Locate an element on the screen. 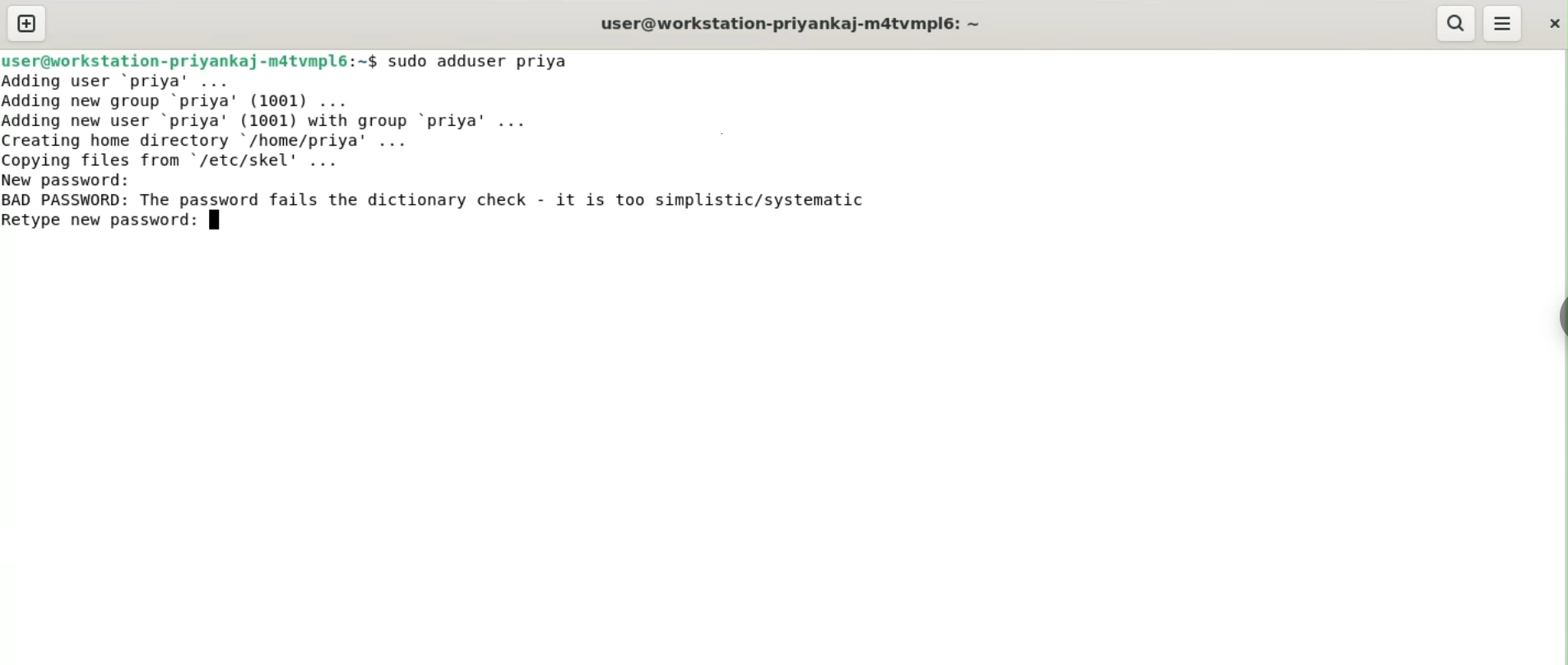 This screenshot has height=665, width=1568. menu is located at coordinates (1504, 24).